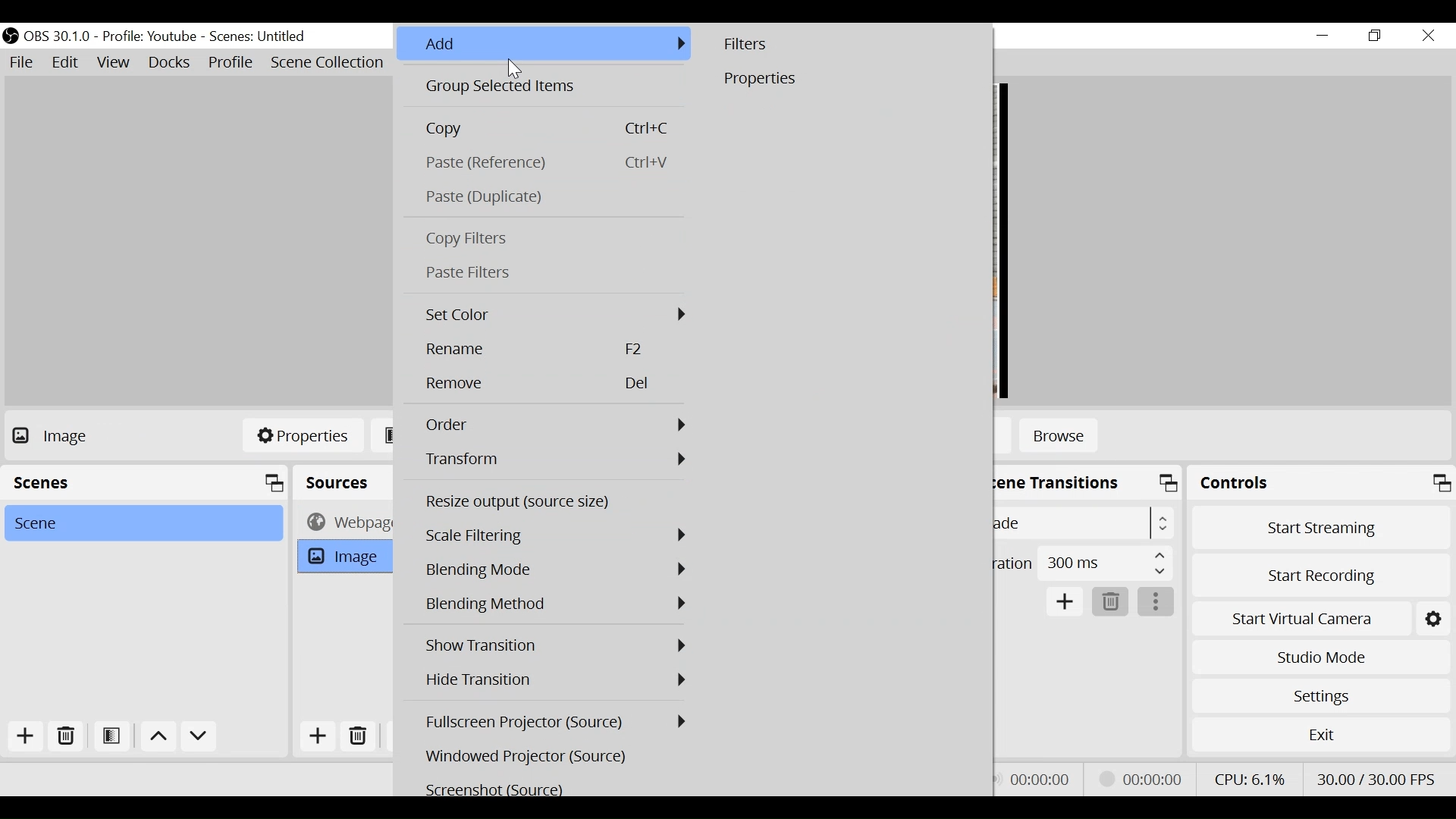 The height and width of the screenshot is (819, 1456). Describe the element at coordinates (58, 37) in the screenshot. I see `OBS Version` at that location.